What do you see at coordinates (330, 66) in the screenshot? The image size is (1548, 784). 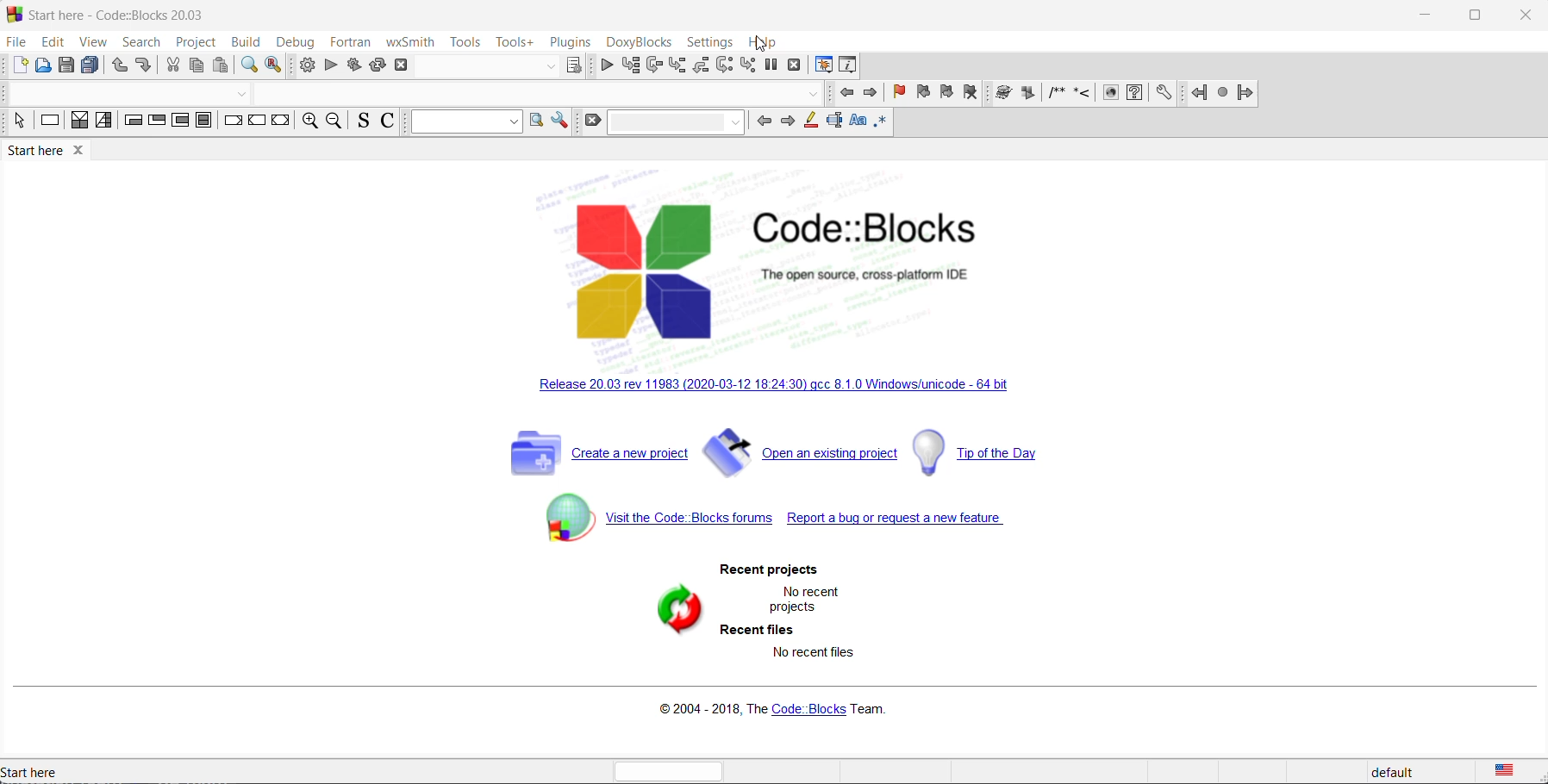 I see `run` at bounding box center [330, 66].